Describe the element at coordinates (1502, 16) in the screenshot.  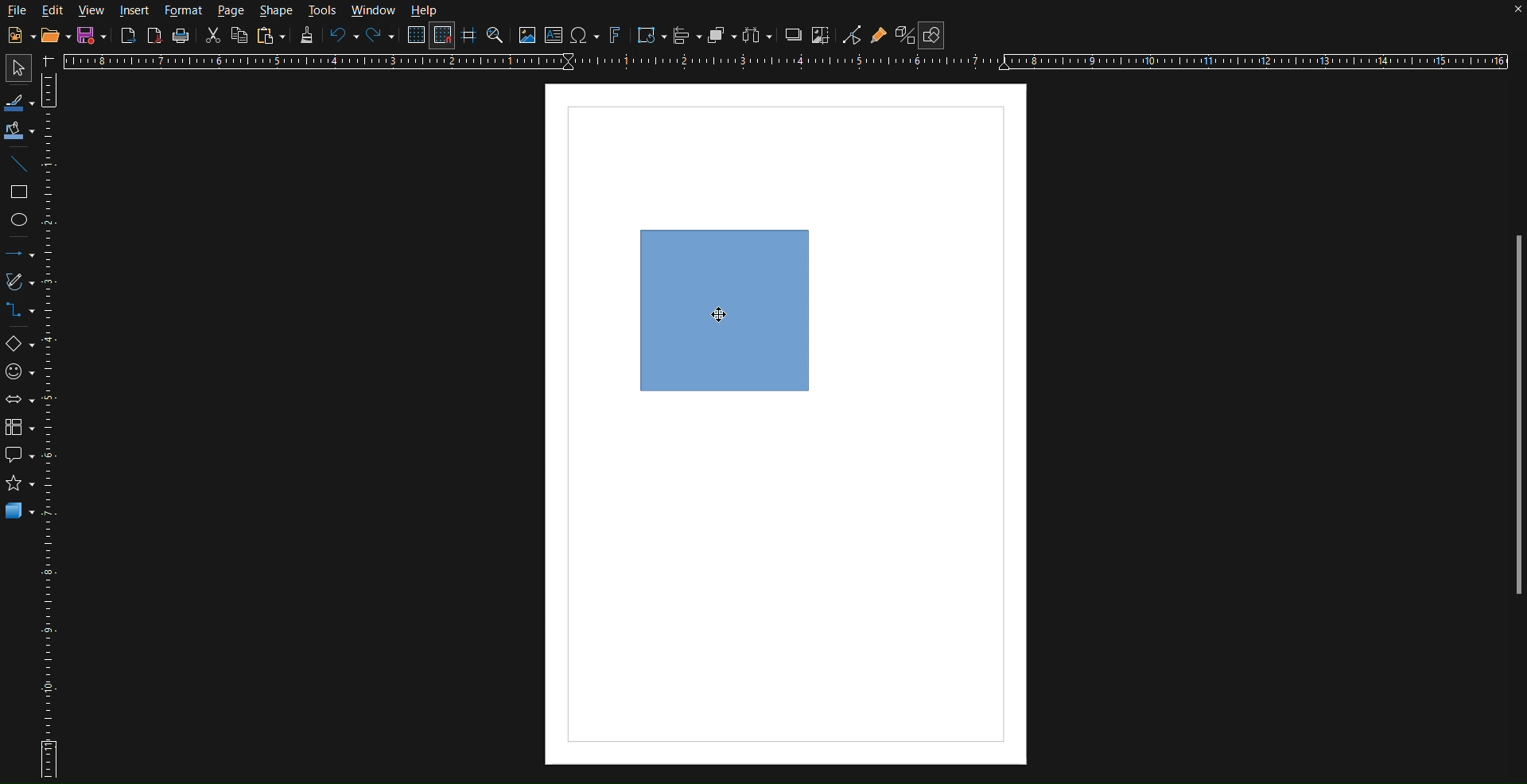
I see `close` at that location.